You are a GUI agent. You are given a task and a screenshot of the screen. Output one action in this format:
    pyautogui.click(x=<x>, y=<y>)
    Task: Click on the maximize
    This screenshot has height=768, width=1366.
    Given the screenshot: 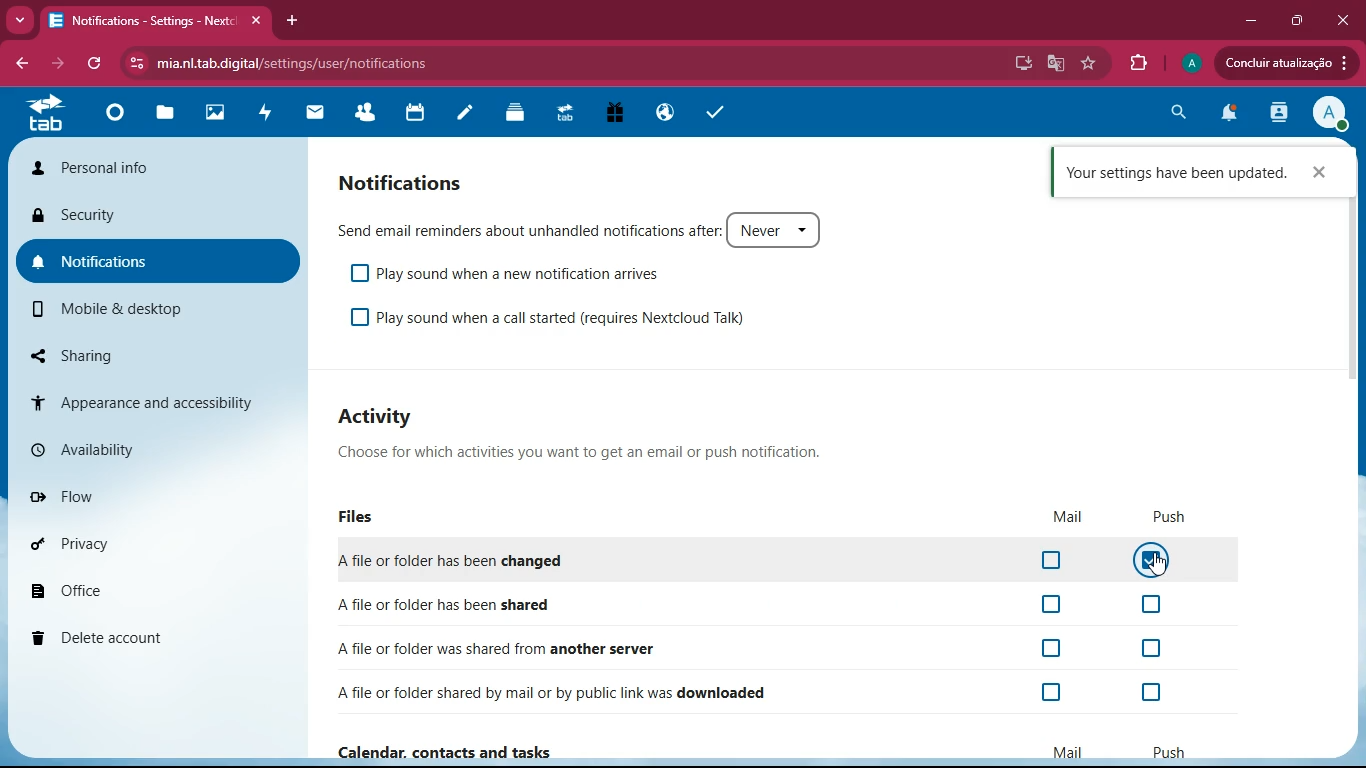 What is the action you would take?
    pyautogui.click(x=1296, y=22)
    